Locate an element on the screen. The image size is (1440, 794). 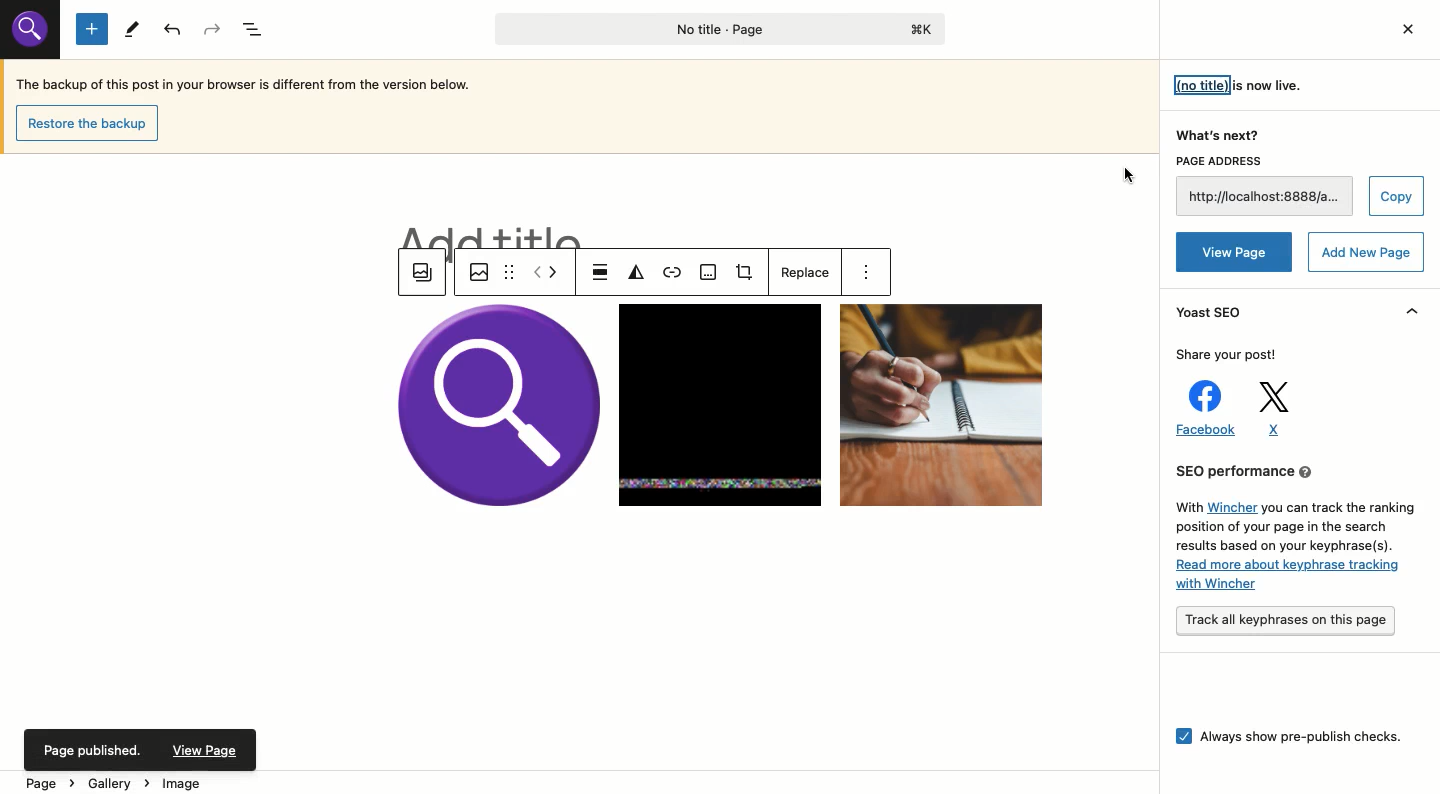
Align is located at coordinates (601, 273).